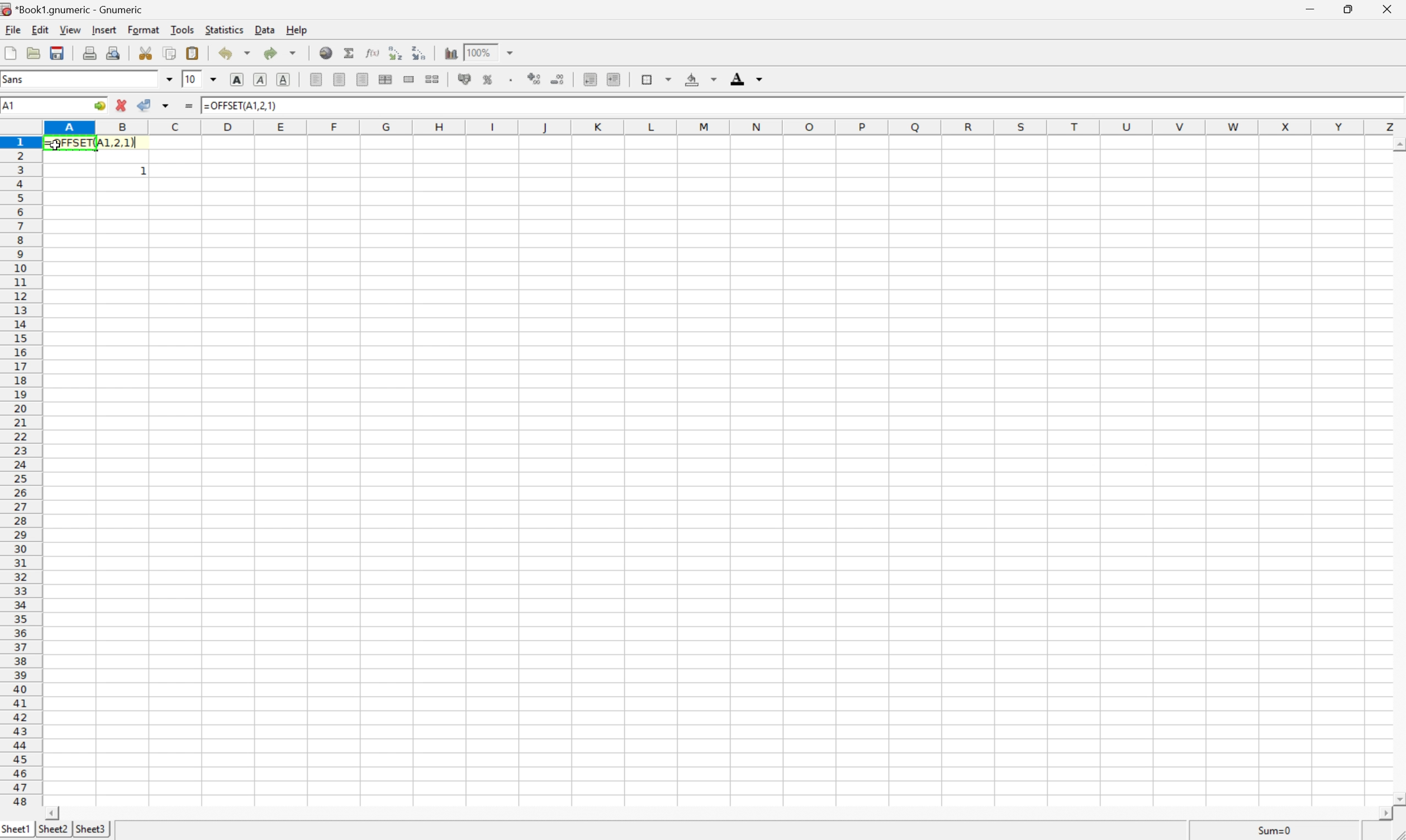  What do you see at coordinates (104, 30) in the screenshot?
I see `insert` at bounding box center [104, 30].